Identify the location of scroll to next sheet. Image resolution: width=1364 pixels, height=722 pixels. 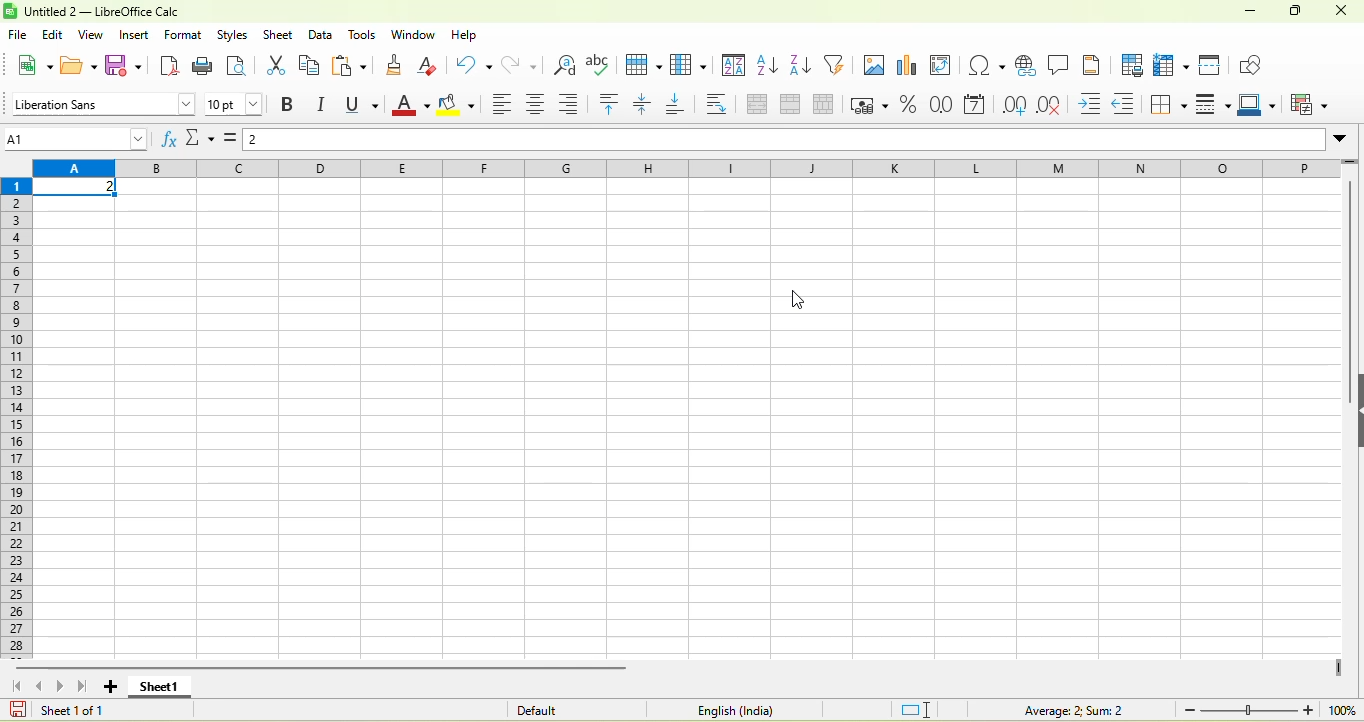
(64, 685).